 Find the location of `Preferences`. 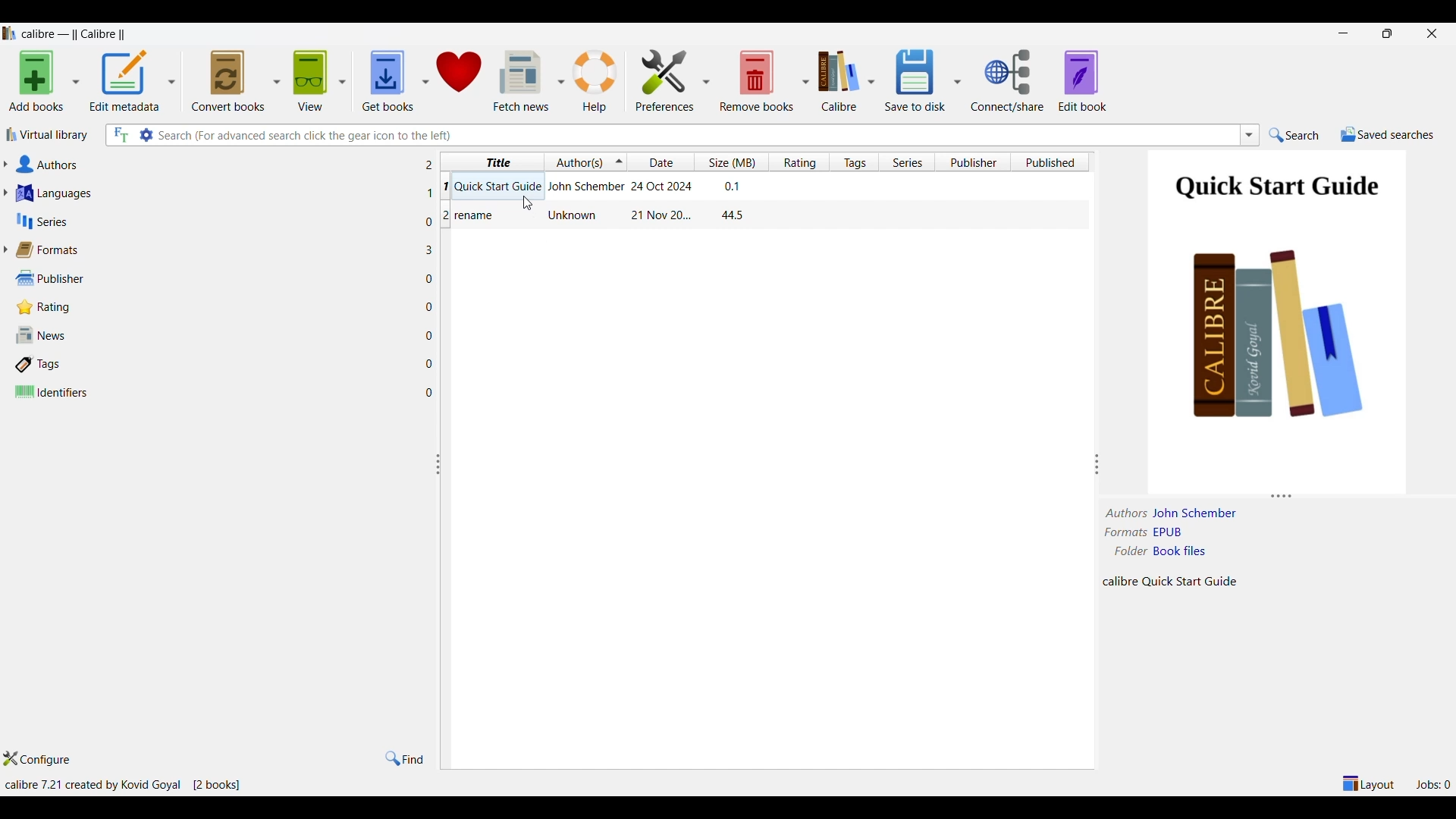

Preferences is located at coordinates (665, 79).